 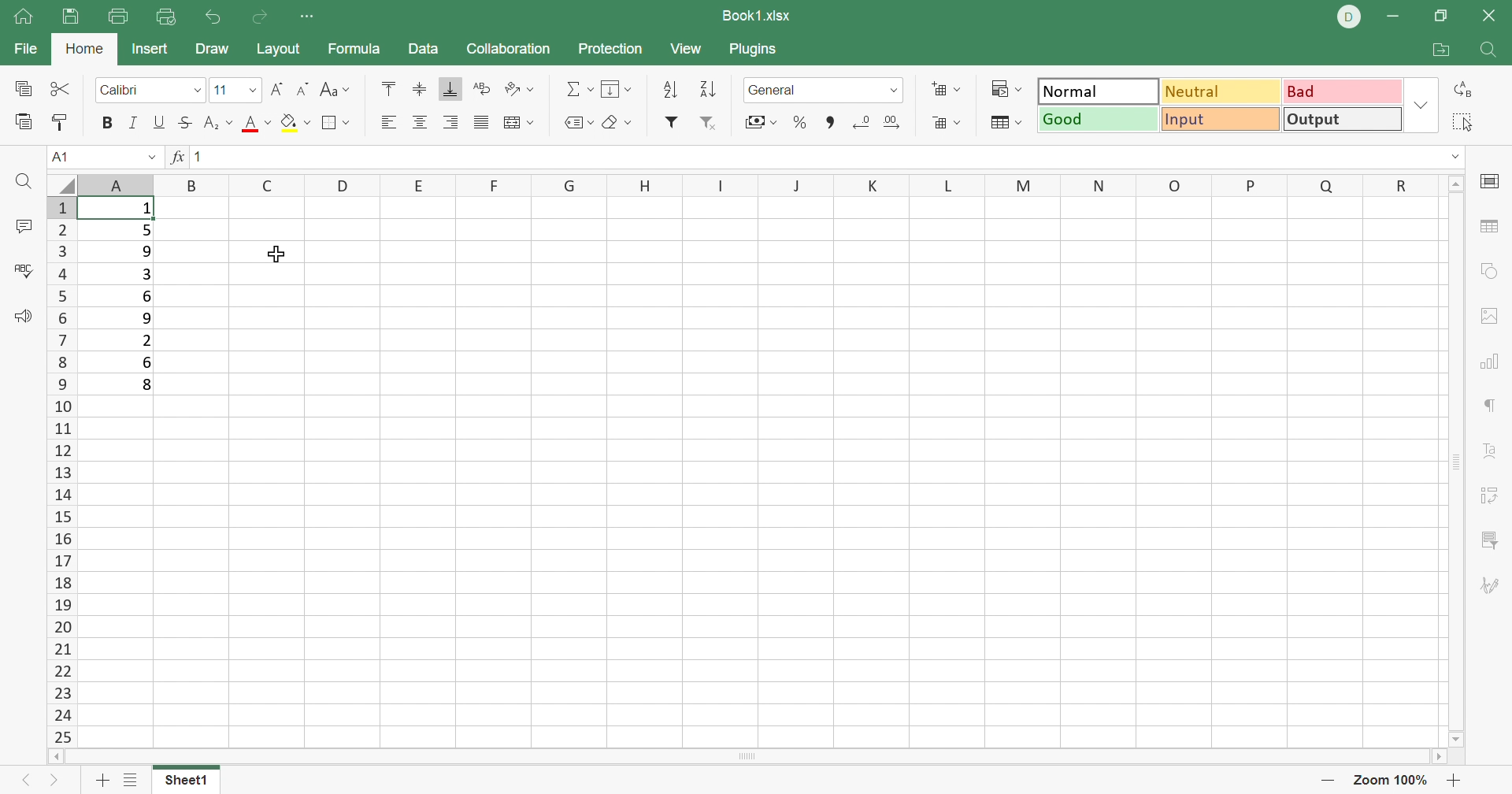 What do you see at coordinates (261, 20) in the screenshot?
I see `Redo` at bounding box center [261, 20].